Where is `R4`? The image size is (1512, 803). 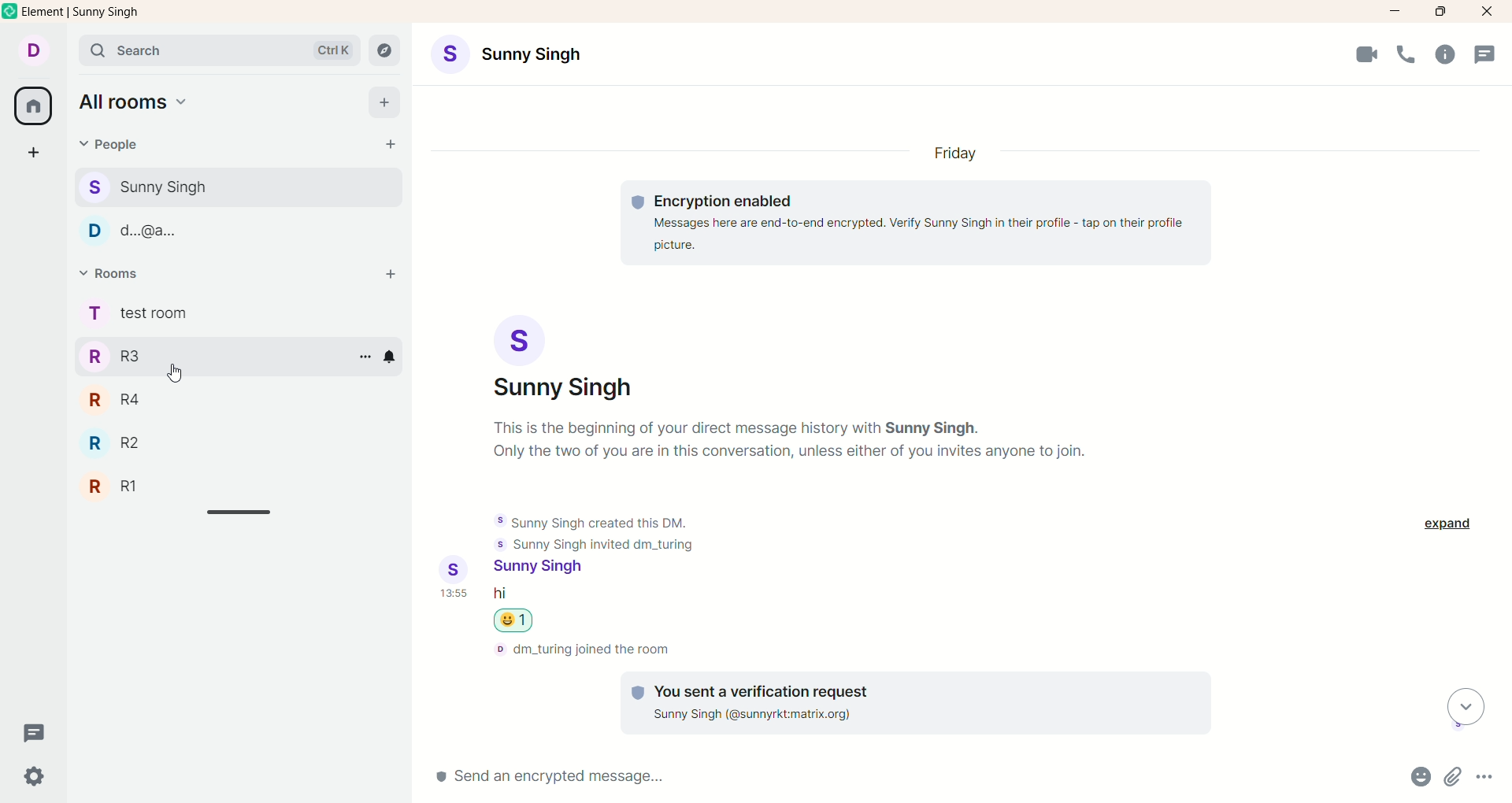
R4 is located at coordinates (118, 404).